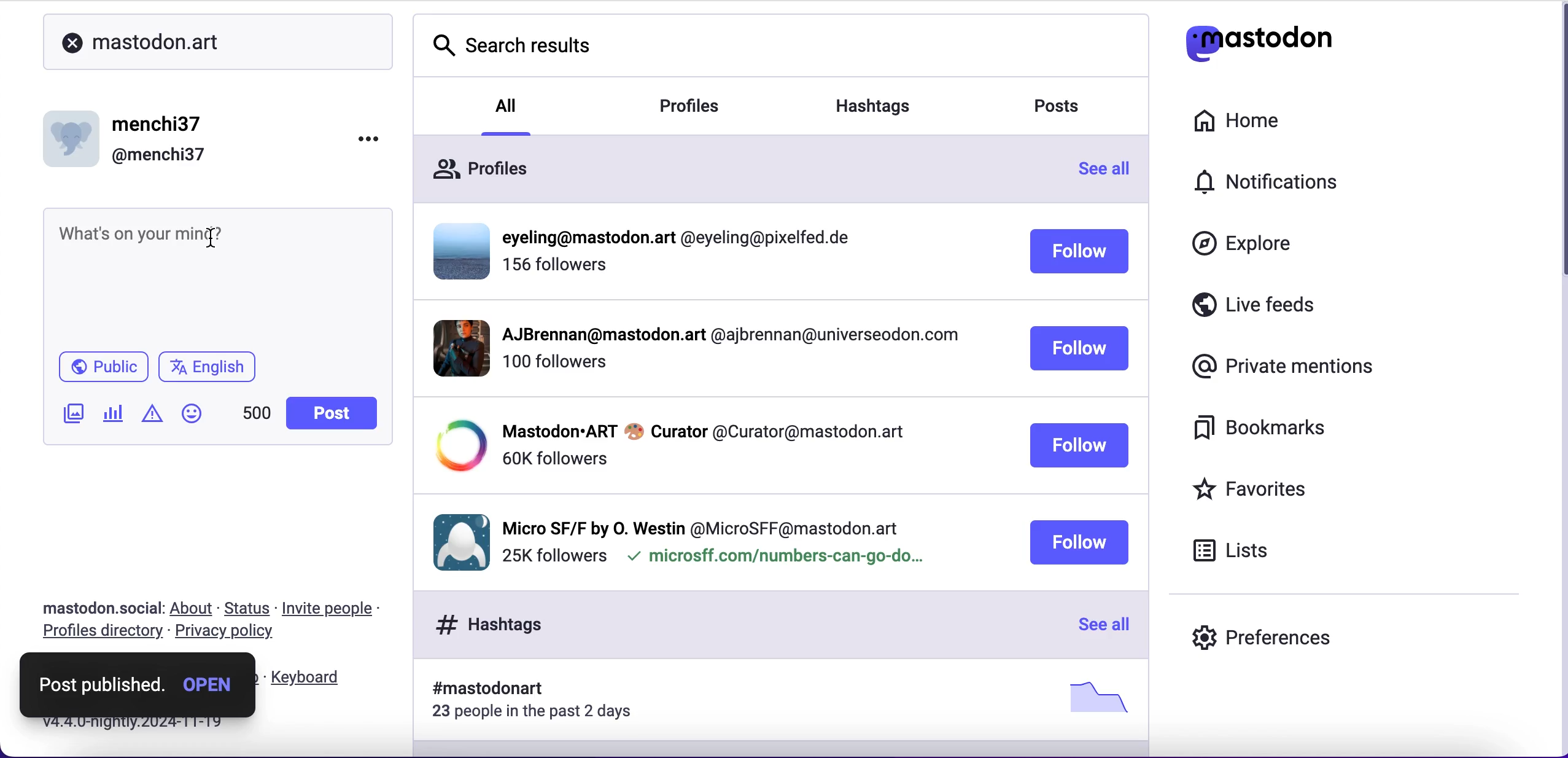 This screenshot has width=1568, height=758. I want to click on profile, so click(703, 430).